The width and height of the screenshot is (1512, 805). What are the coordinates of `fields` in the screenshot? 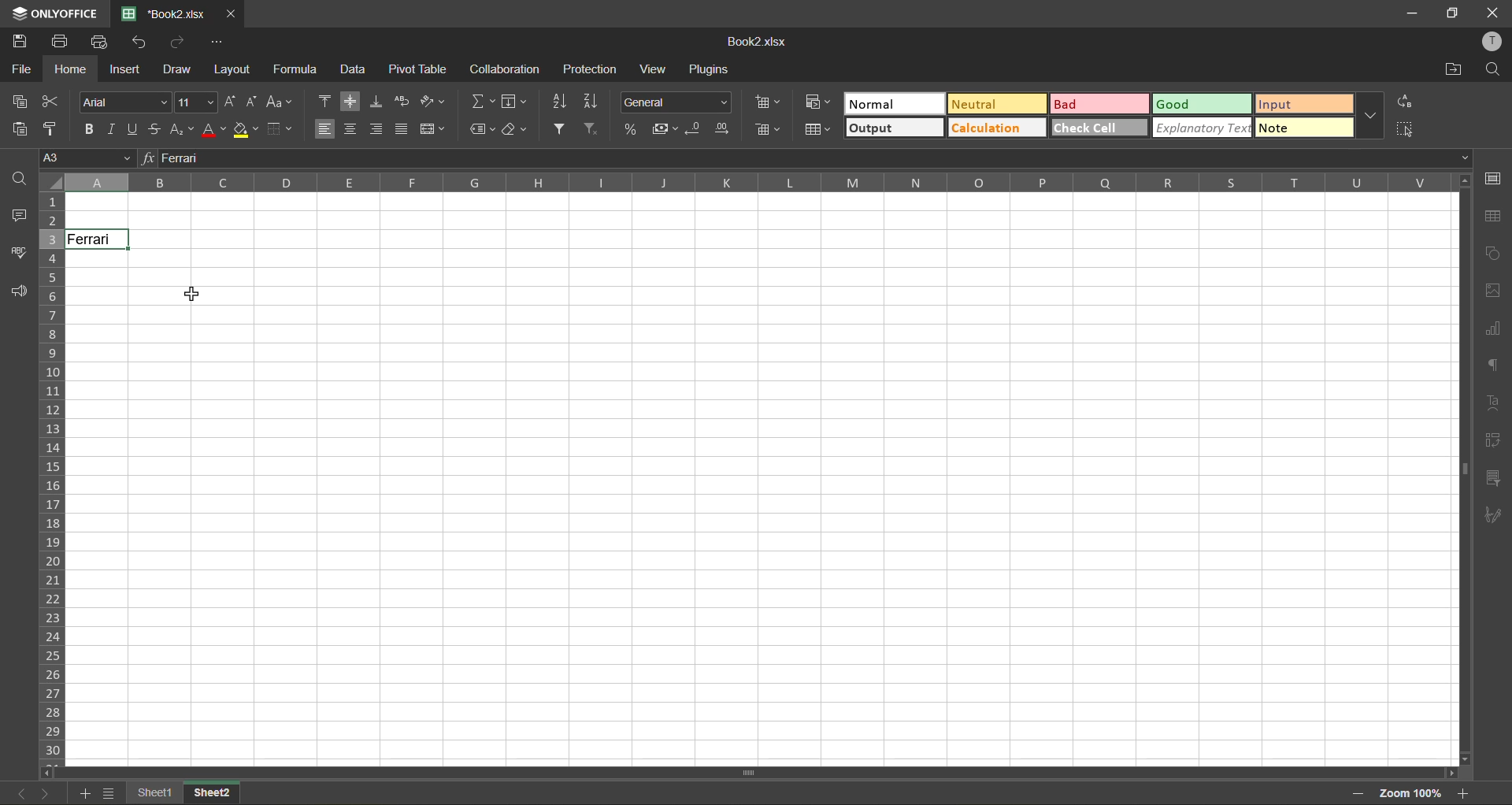 It's located at (514, 101).